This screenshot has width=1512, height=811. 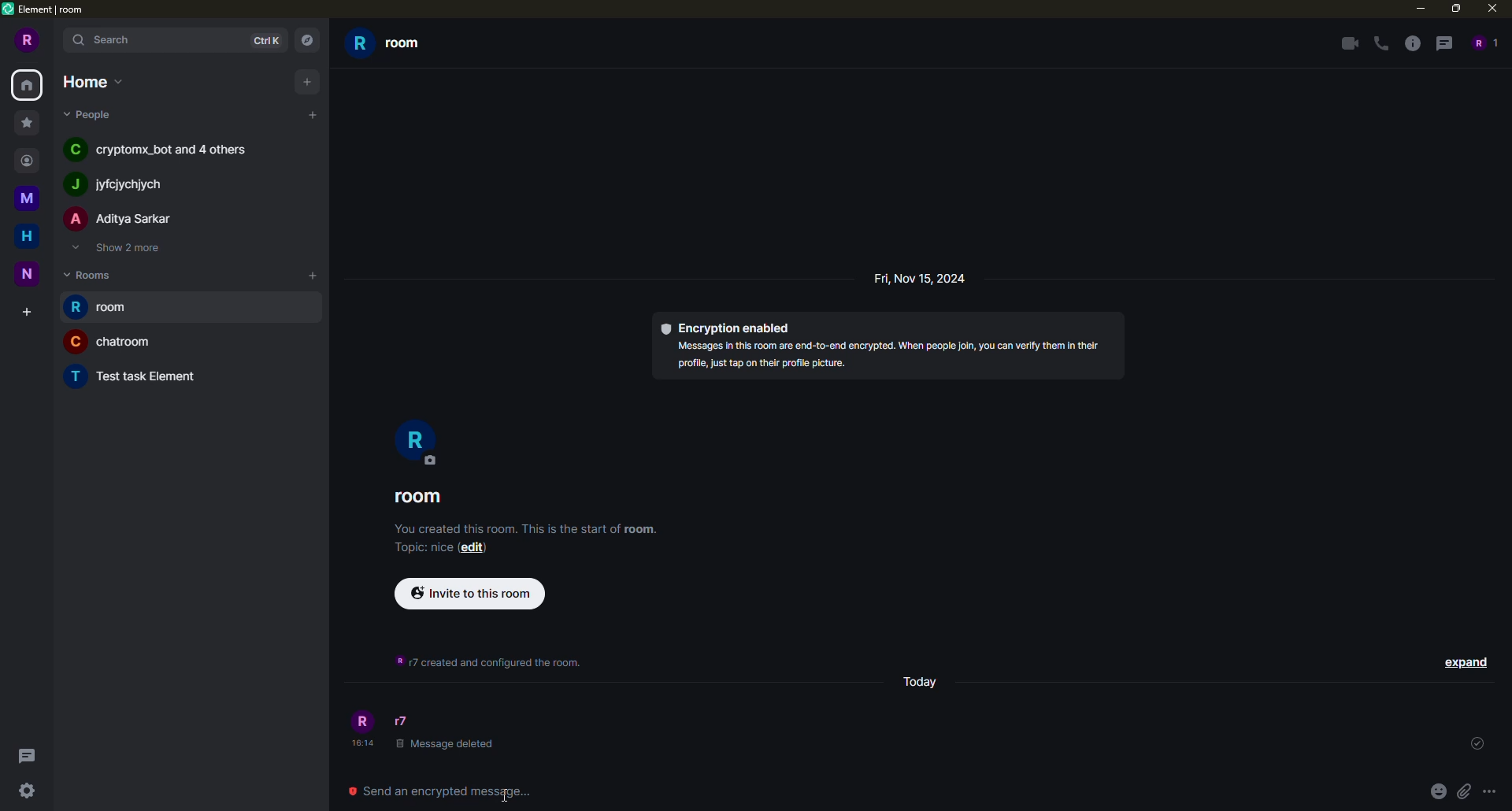 I want to click on maximize, so click(x=1456, y=9).